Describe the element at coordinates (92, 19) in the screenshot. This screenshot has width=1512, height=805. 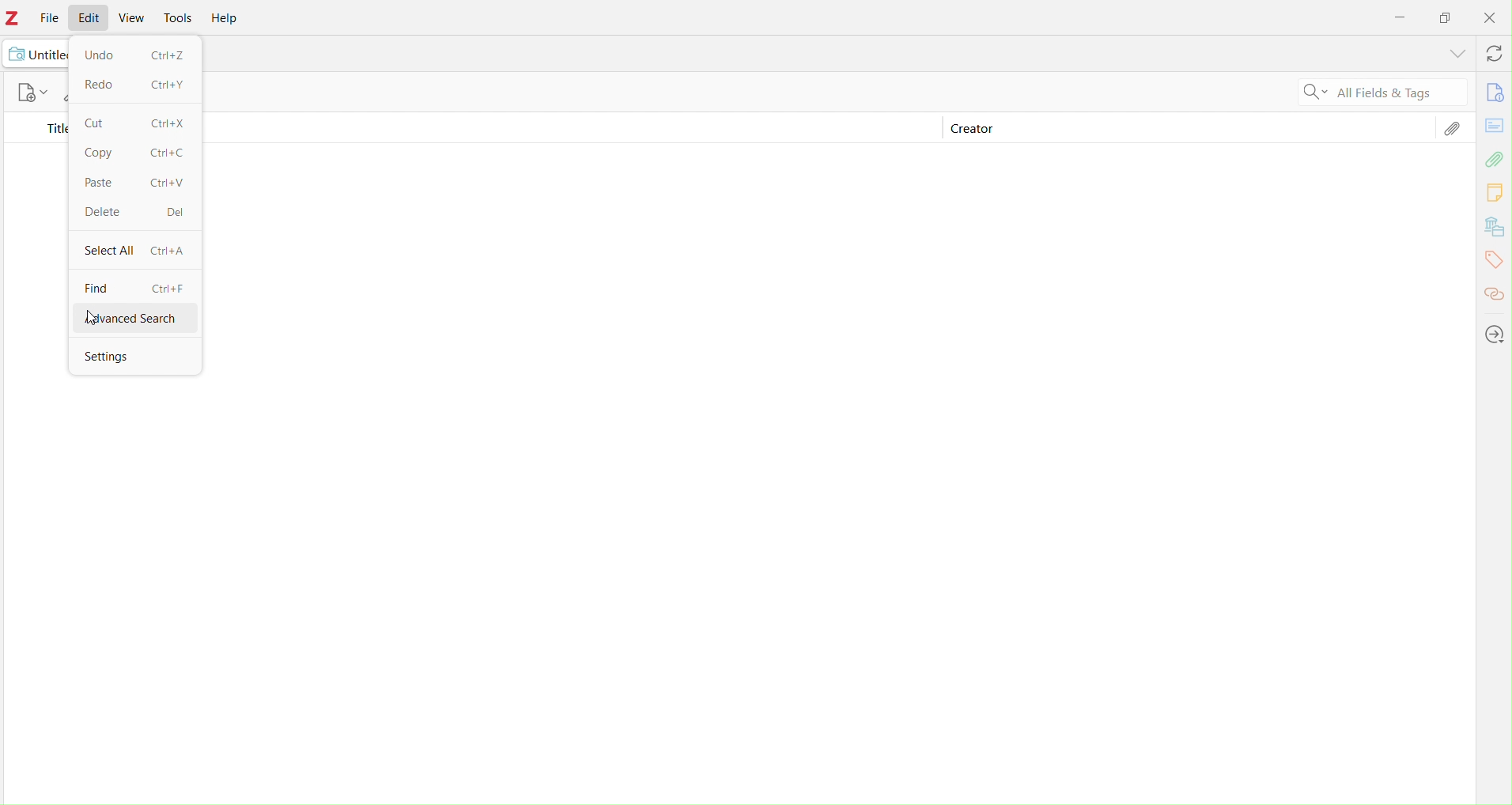
I see `Edit` at that location.